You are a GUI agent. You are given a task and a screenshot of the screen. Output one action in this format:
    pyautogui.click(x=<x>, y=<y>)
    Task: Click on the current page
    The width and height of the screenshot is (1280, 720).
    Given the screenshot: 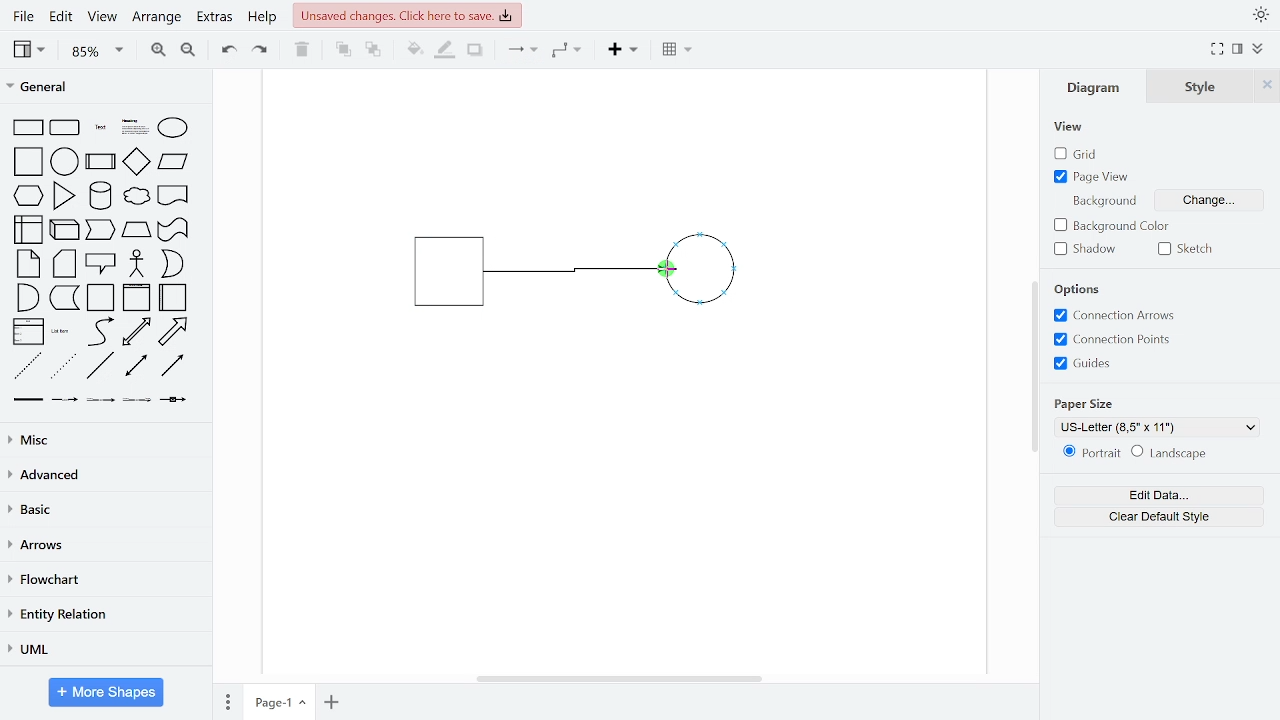 What is the action you would take?
    pyautogui.click(x=279, y=701)
    